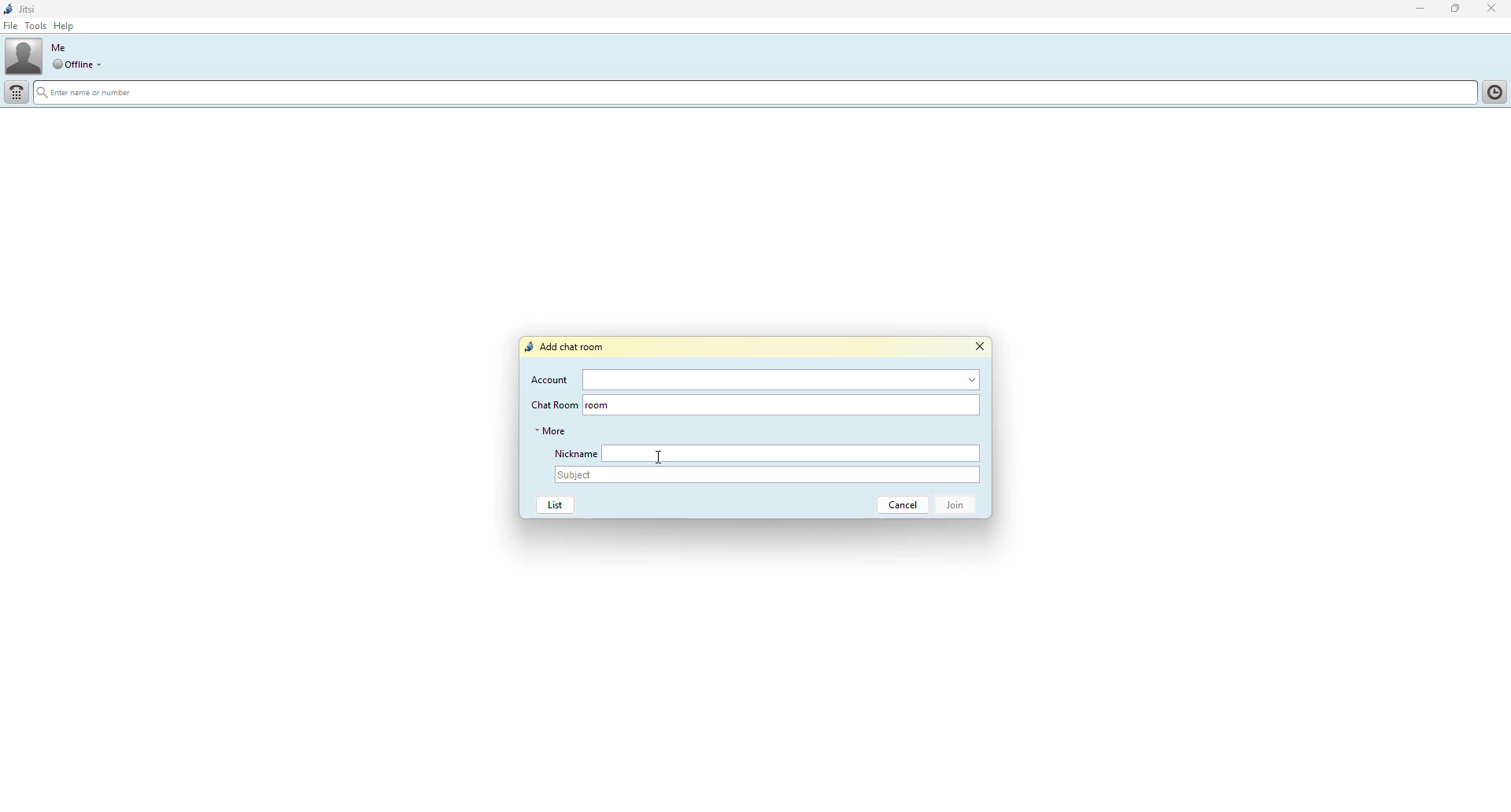 Image resolution: width=1511 pixels, height=812 pixels. Describe the element at coordinates (1492, 90) in the screenshot. I see `History` at that location.